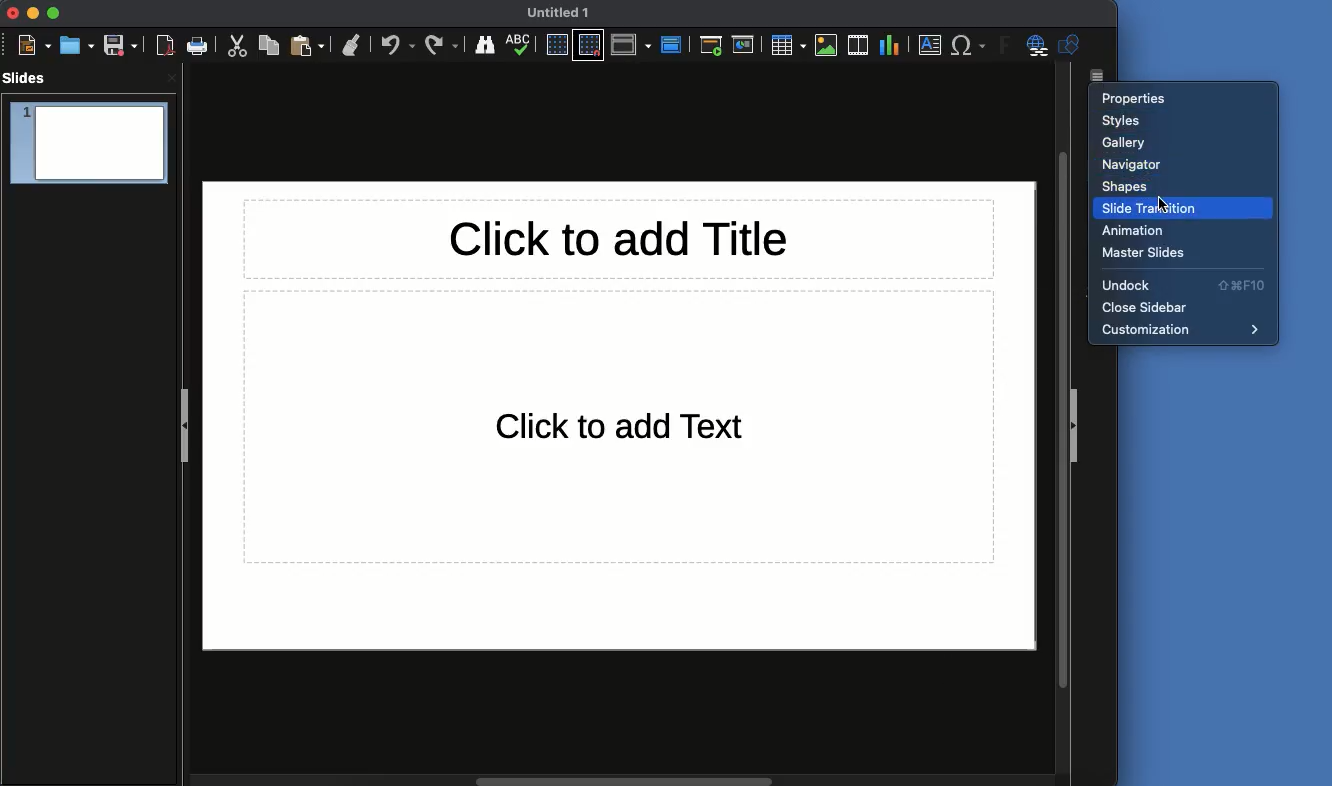 The width and height of the screenshot is (1332, 786). I want to click on Paste, so click(309, 44).